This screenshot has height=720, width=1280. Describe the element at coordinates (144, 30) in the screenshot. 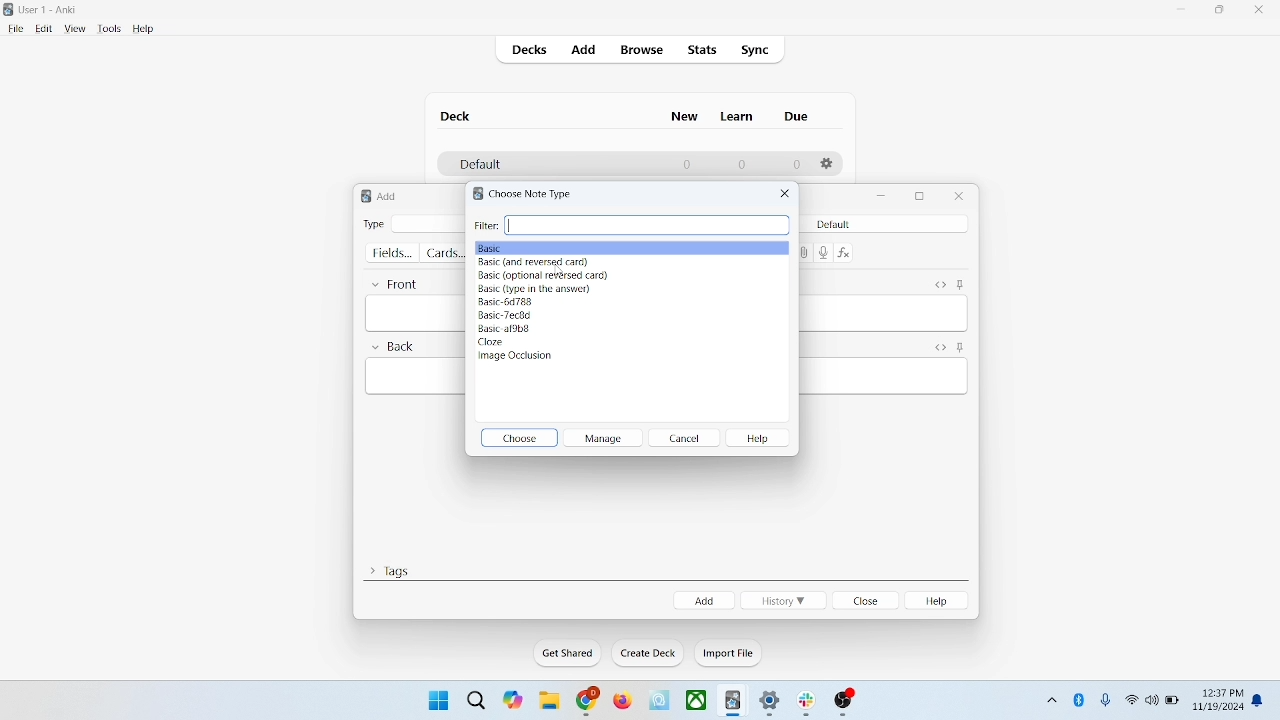

I see `help` at that location.